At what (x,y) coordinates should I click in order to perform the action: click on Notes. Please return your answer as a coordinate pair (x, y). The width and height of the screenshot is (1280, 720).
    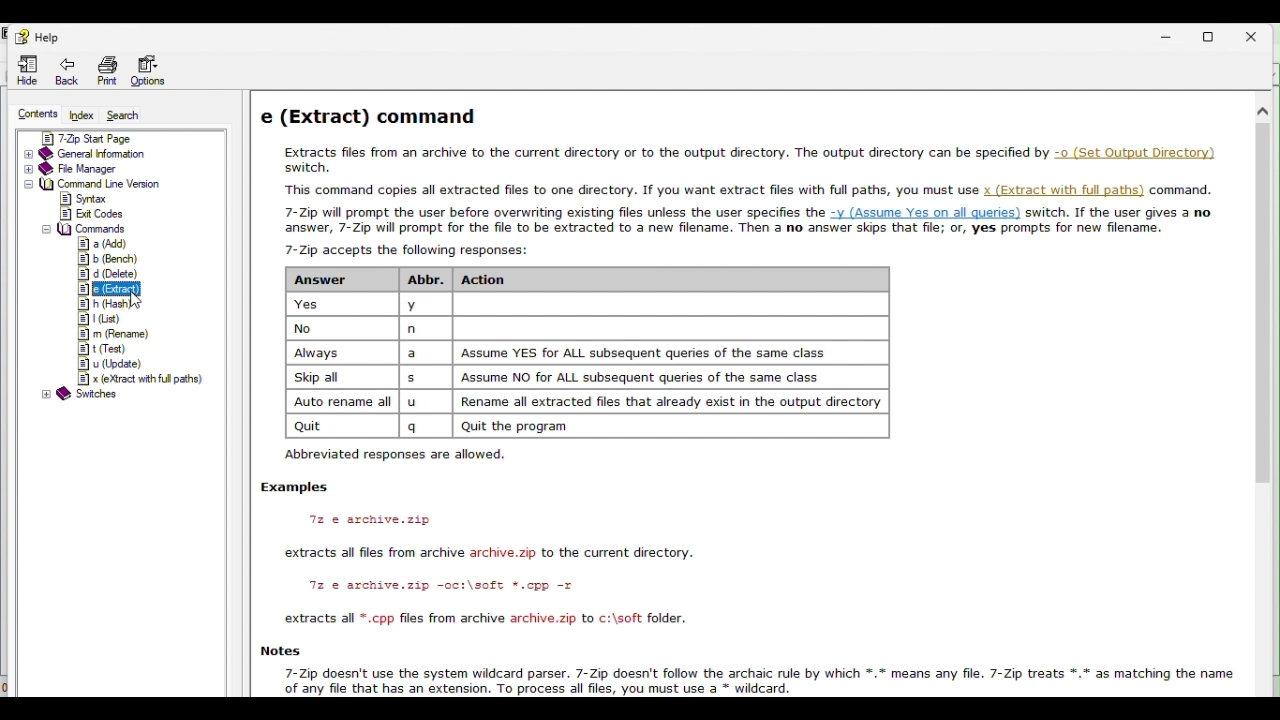
    Looking at the image, I should click on (743, 665).